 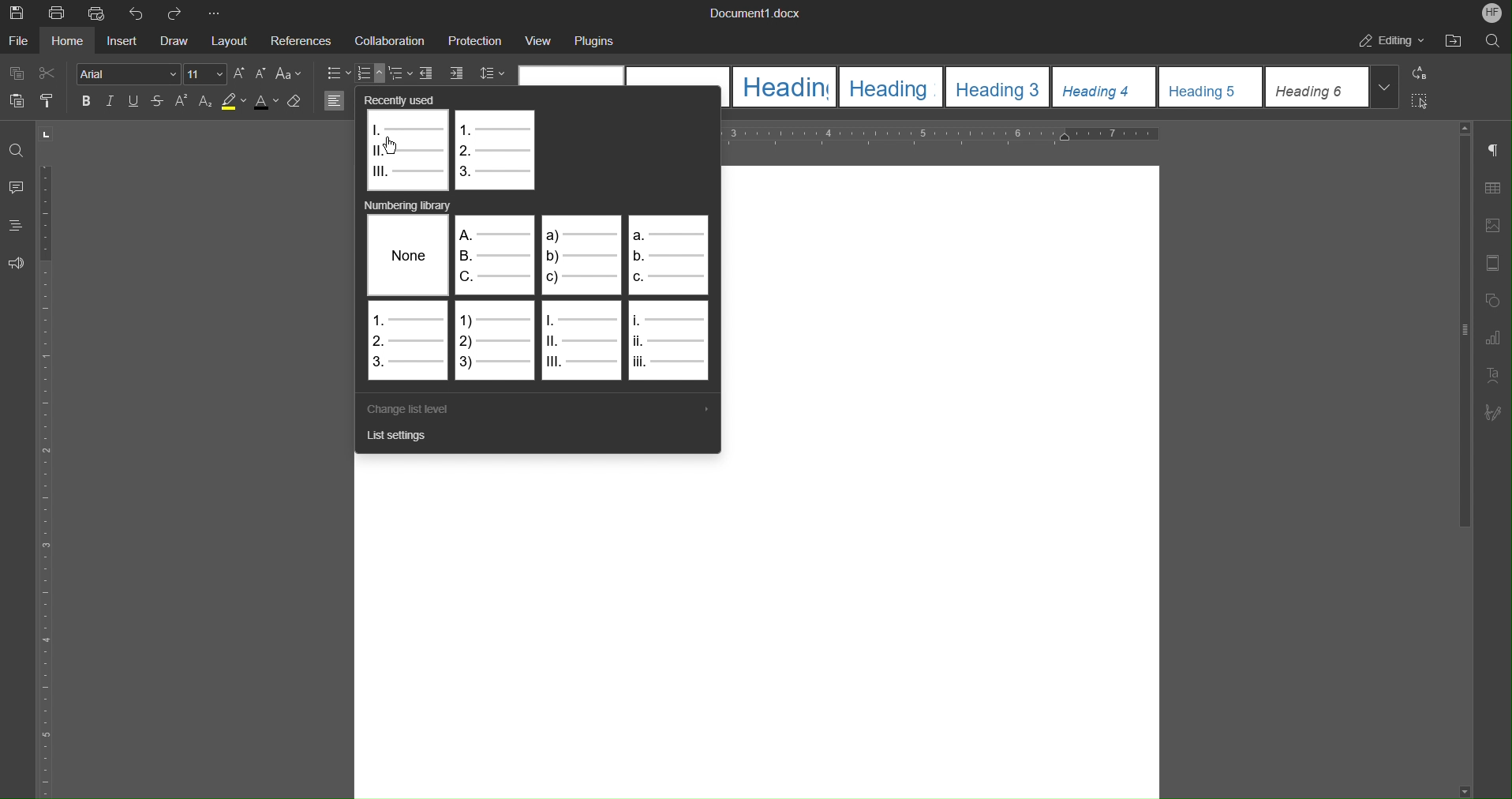 What do you see at coordinates (409, 205) in the screenshot?
I see `Numbering library` at bounding box center [409, 205].